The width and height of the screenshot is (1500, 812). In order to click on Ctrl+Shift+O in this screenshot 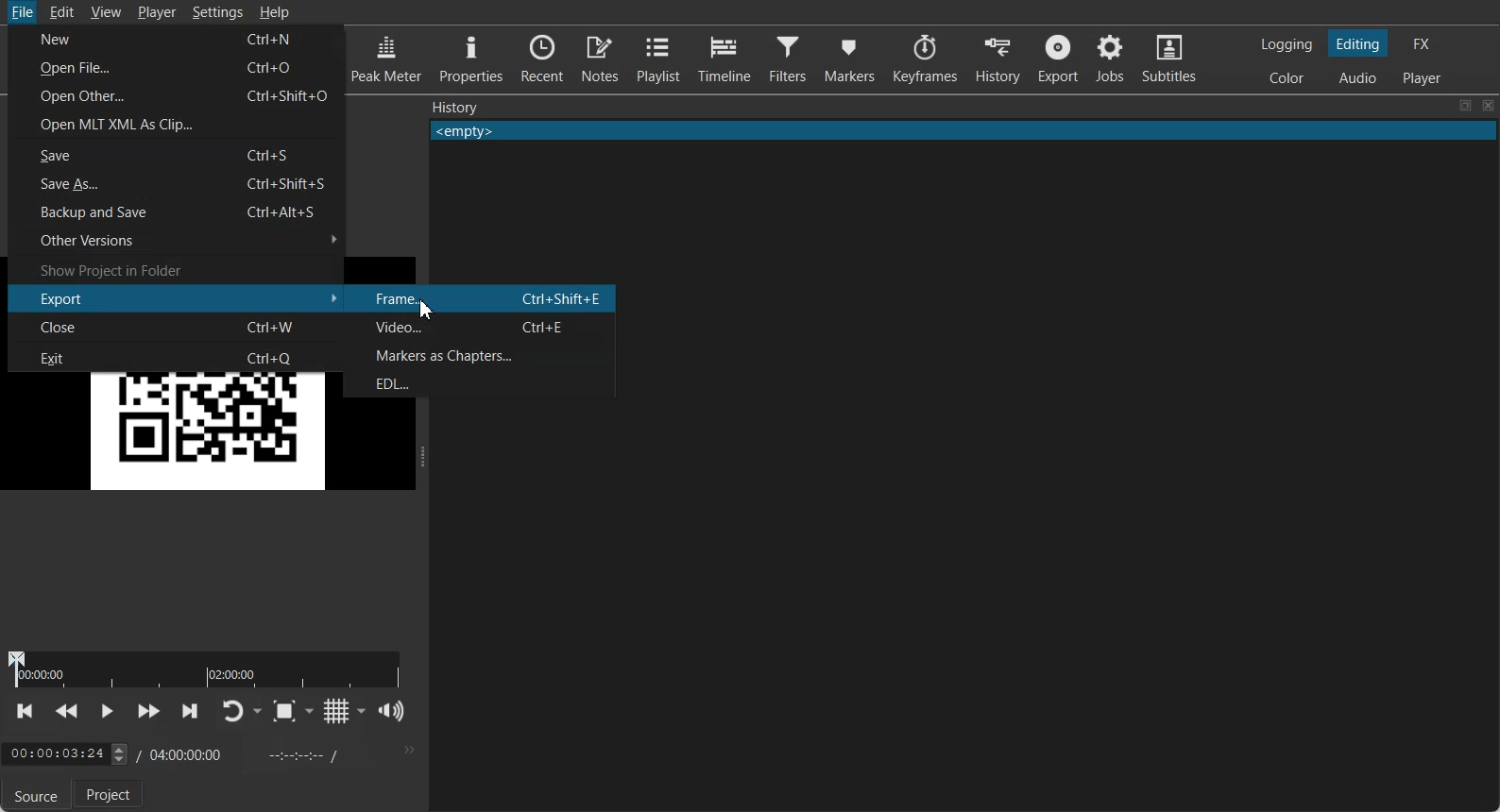, I will do `click(292, 95)`.